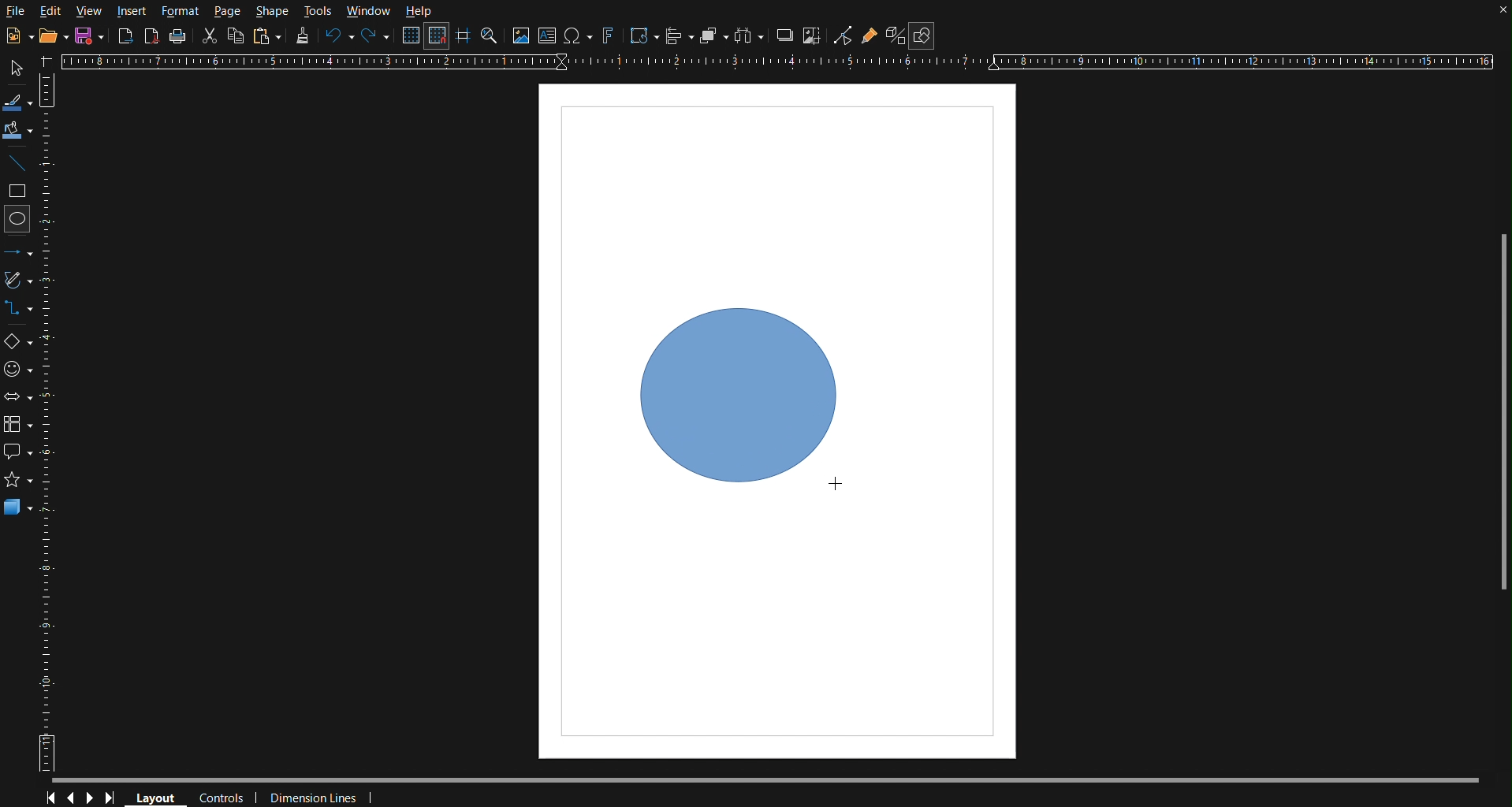 The image size is (1512, 807). Describe the element at coordinates (19, 131) in the screenshot. I see `Fill Color` at that location.